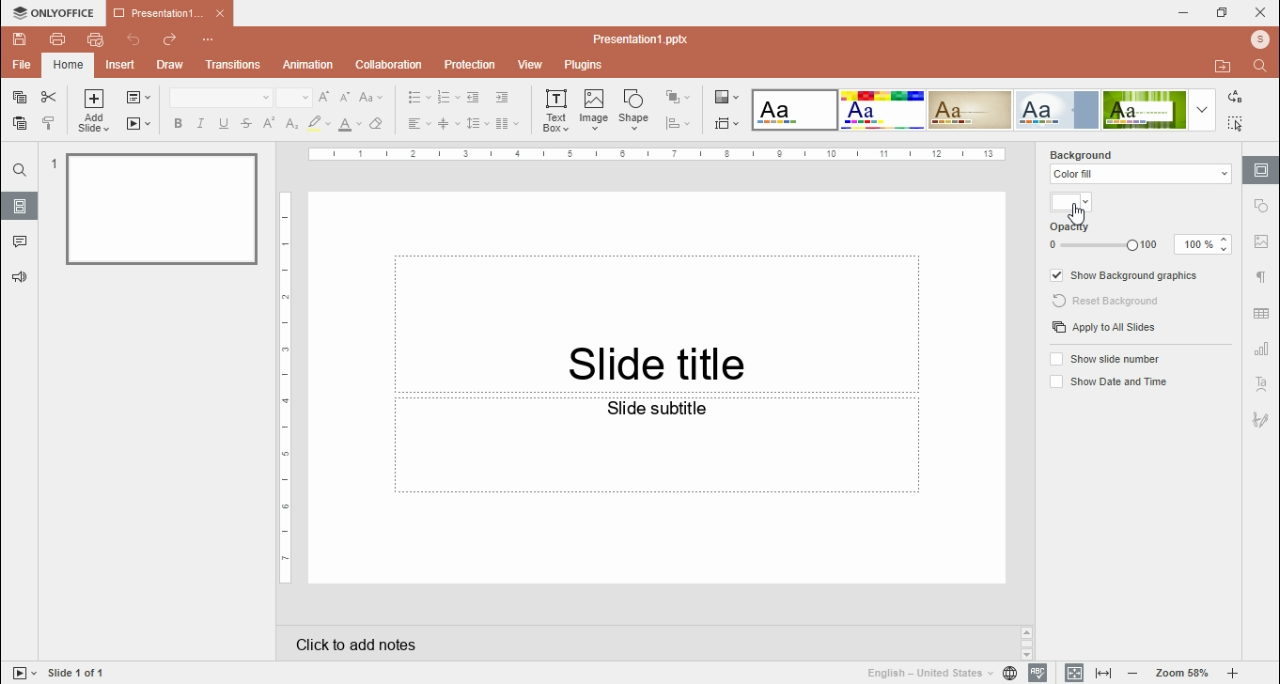  I want to click on shape settings, so click(1263, 206).